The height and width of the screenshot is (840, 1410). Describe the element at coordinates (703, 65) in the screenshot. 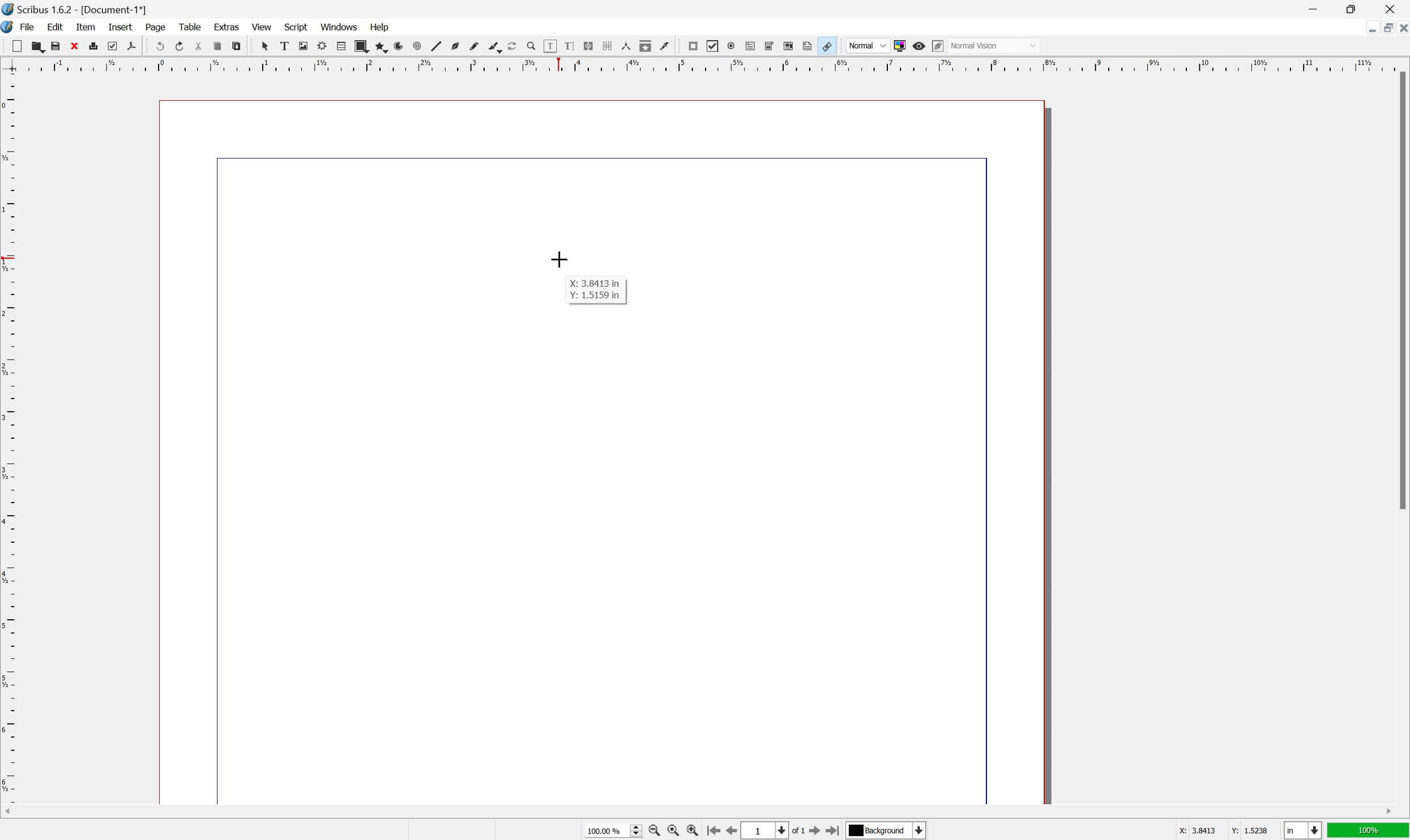

I see `ruler` at that location.